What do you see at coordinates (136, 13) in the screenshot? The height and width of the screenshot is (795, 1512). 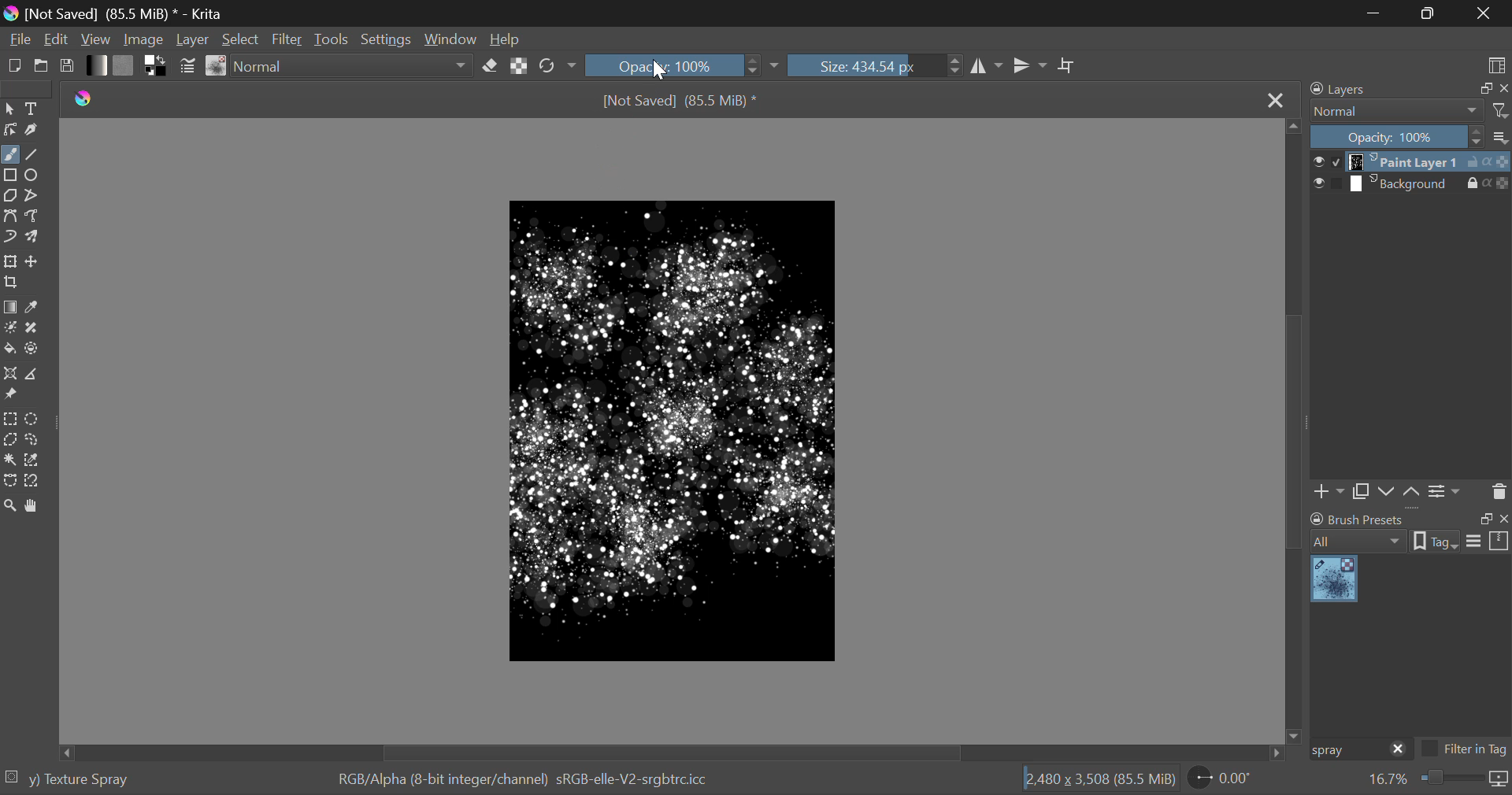 I see `[Not Saved] (69.2 MiB) * - Krita` at bounding box center [136, 13].